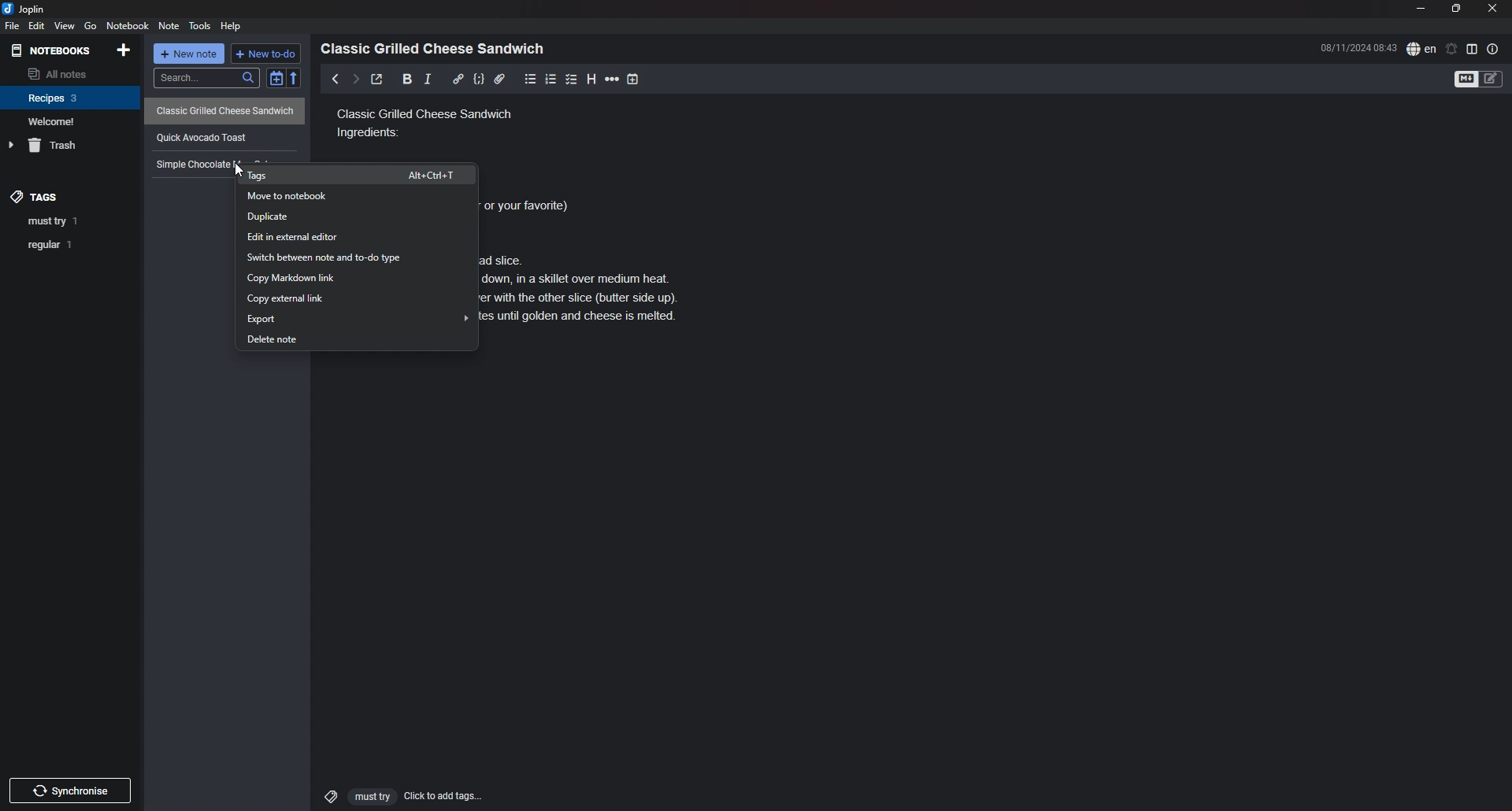  What do you see at coordinates (396, 795) in the screenshot?
I see `click to add tags` at bounding box center [396, 795].